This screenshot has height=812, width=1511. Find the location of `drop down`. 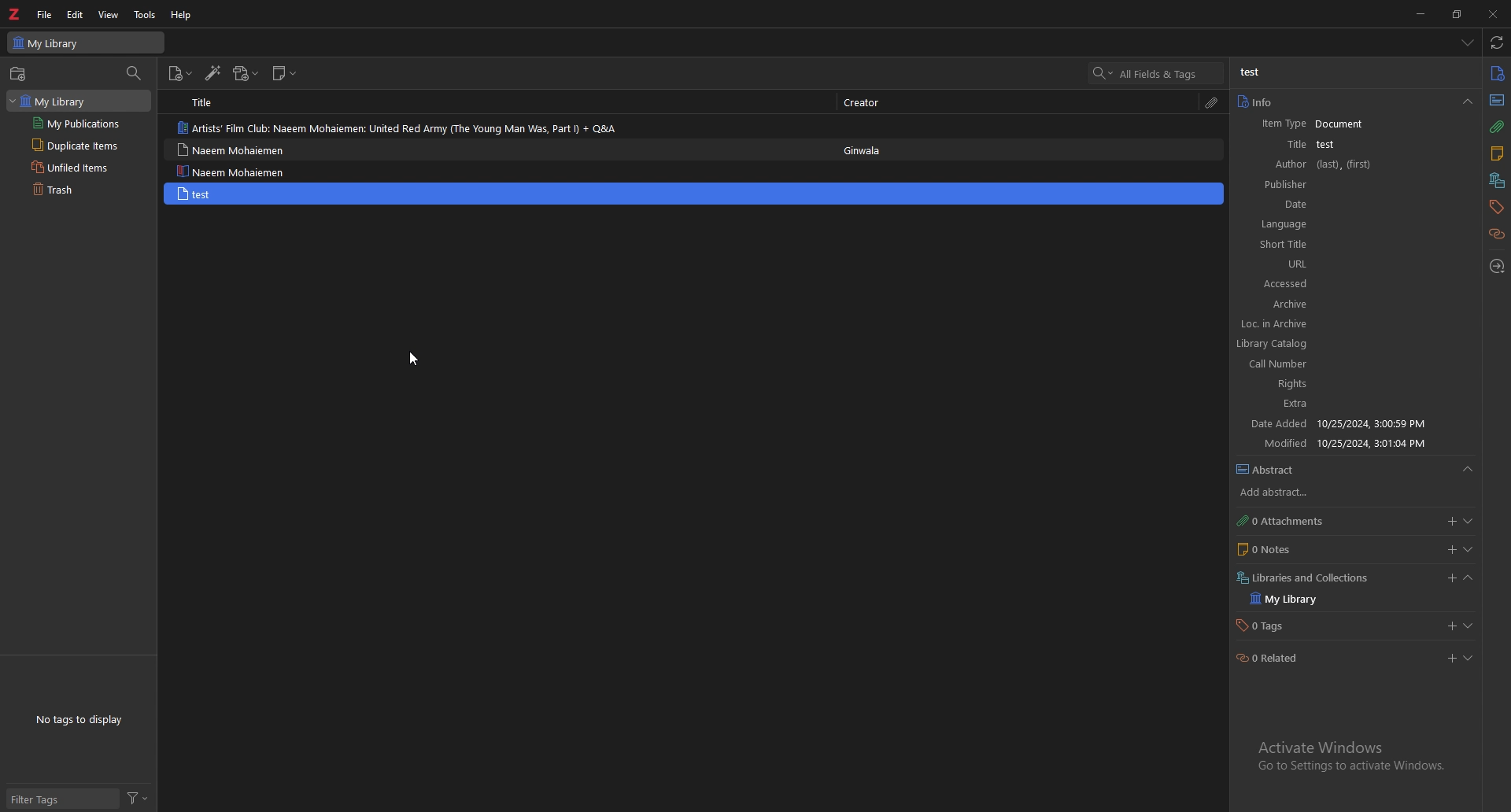

drop down is located at coordinates (1467, 42).